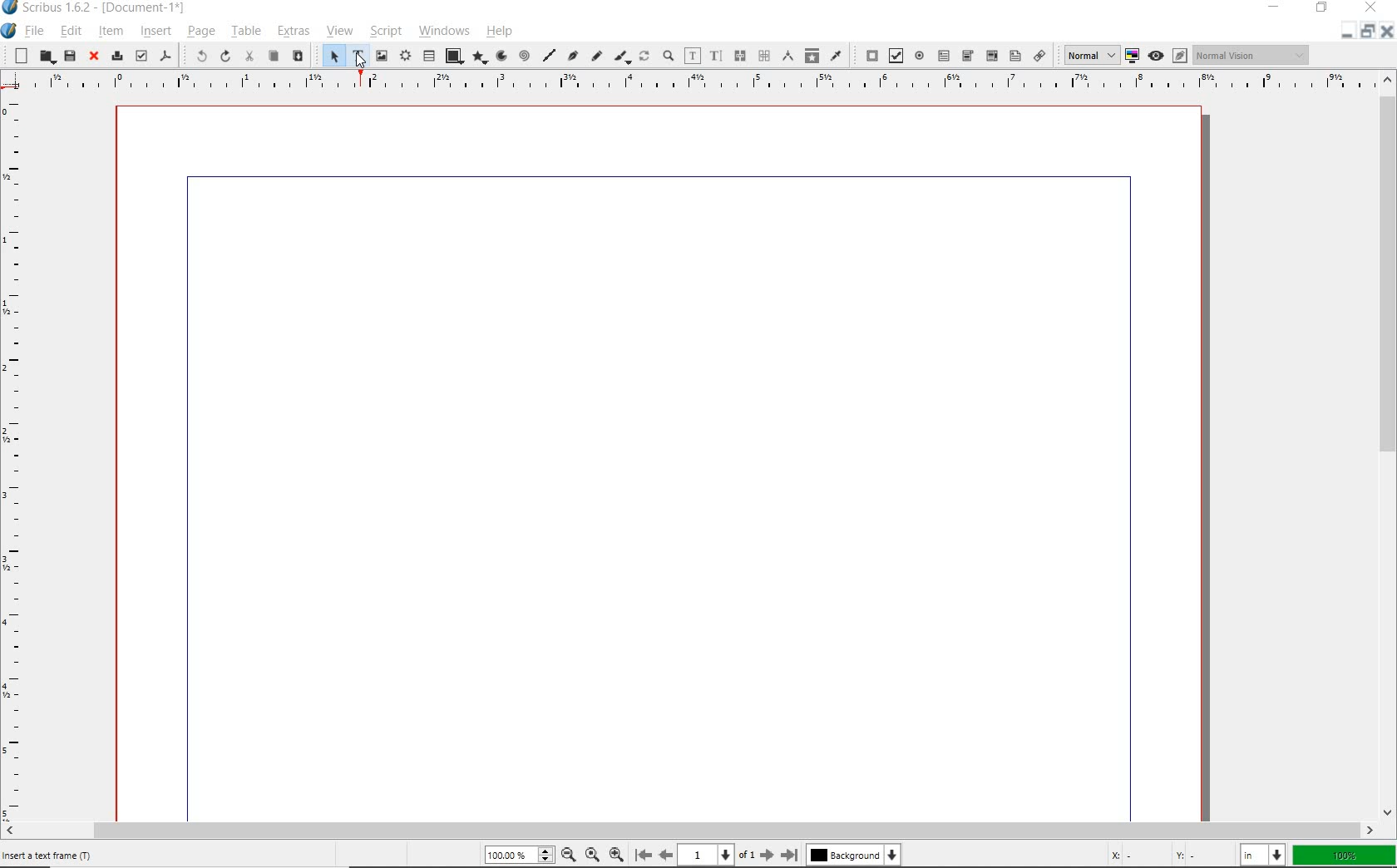 This screenshot has height=868, width=1397. Describe the element at coordinates (116, 57) in the screenshot. I see `print` at that location.